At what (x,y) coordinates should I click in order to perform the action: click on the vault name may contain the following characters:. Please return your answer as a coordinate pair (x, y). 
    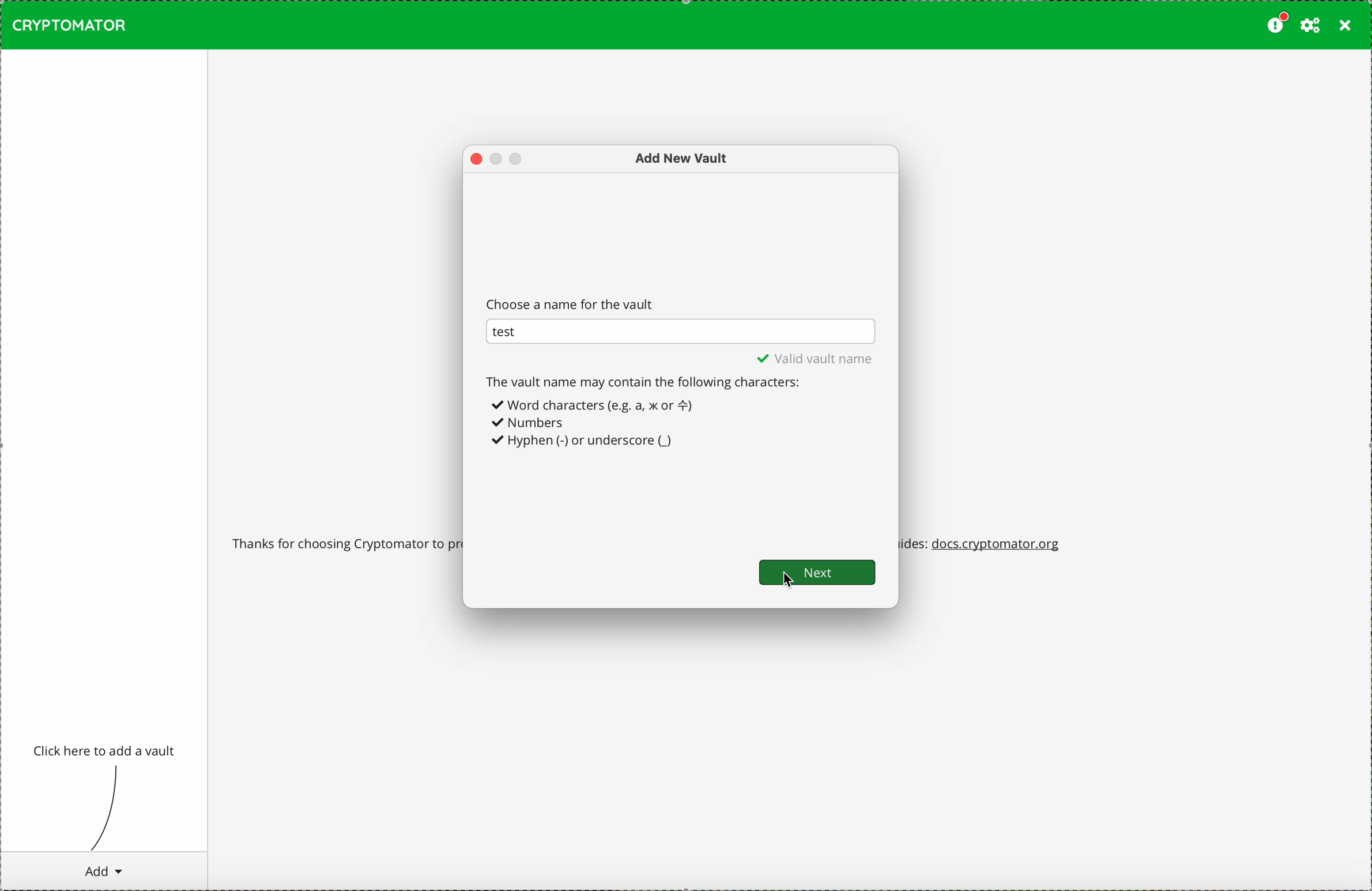
    Looking at the image, I should click on (647, 381).